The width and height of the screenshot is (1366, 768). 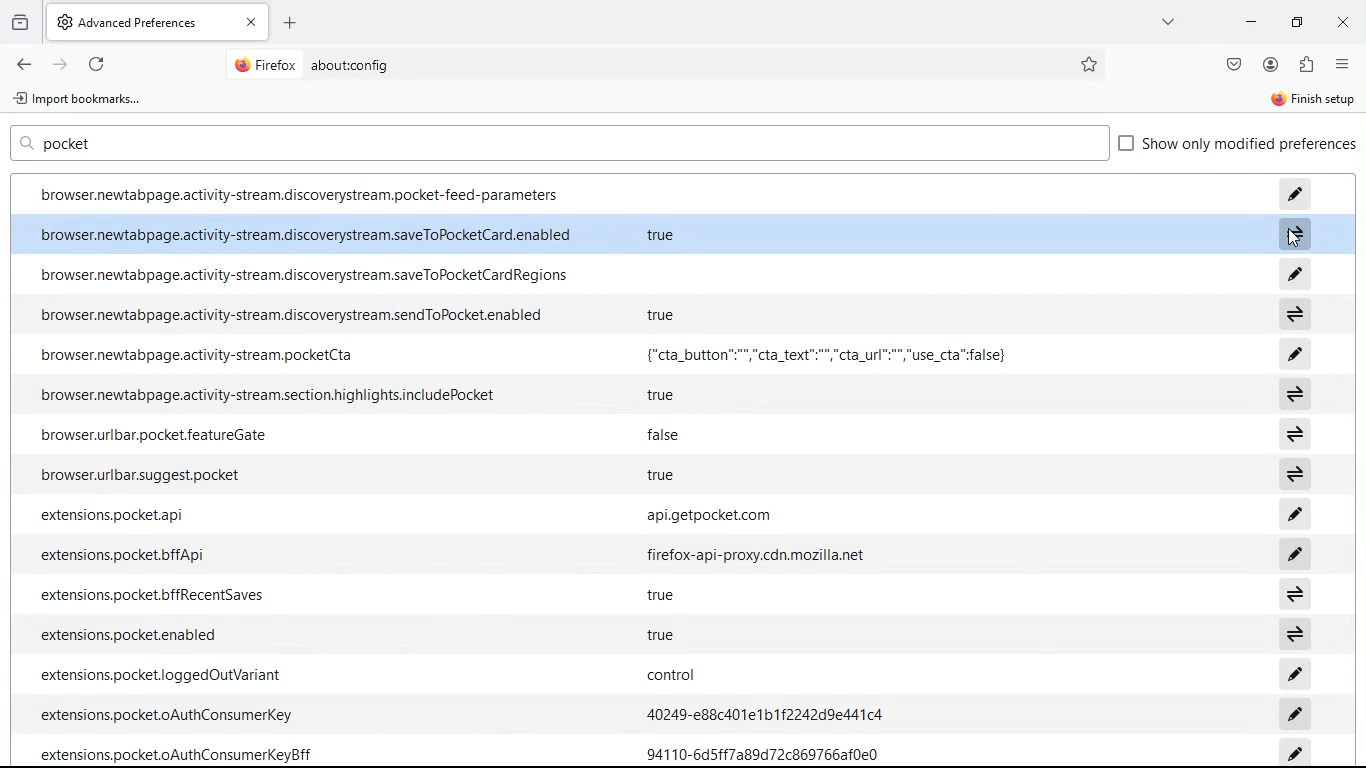 What do you see at coordinates (763, 713) in the screenshot?
I see `40249-e88c401e1b1f2242d9%441c4` at bounding box center [763, 713].